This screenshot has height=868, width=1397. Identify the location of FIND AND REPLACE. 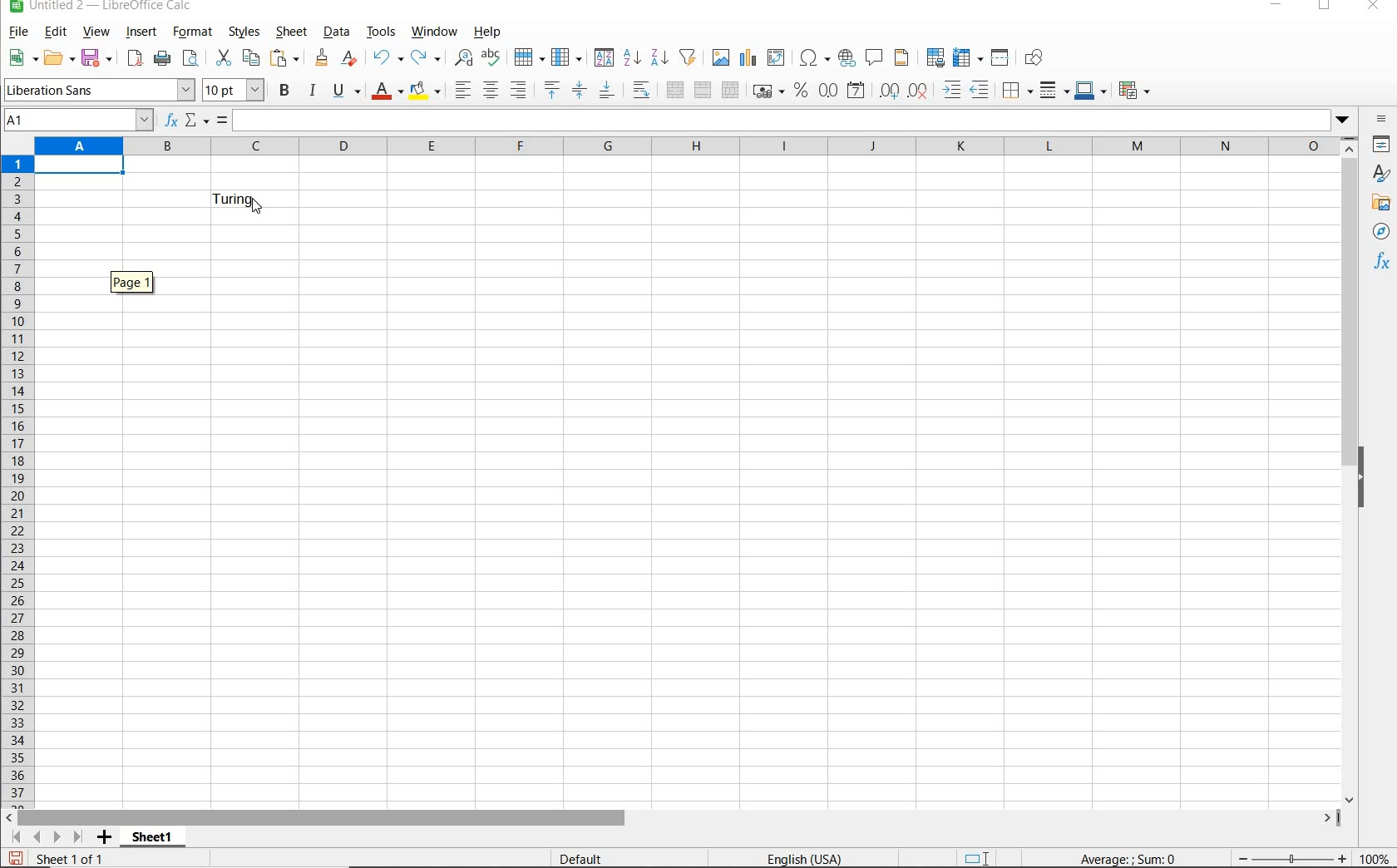
(464, 57).